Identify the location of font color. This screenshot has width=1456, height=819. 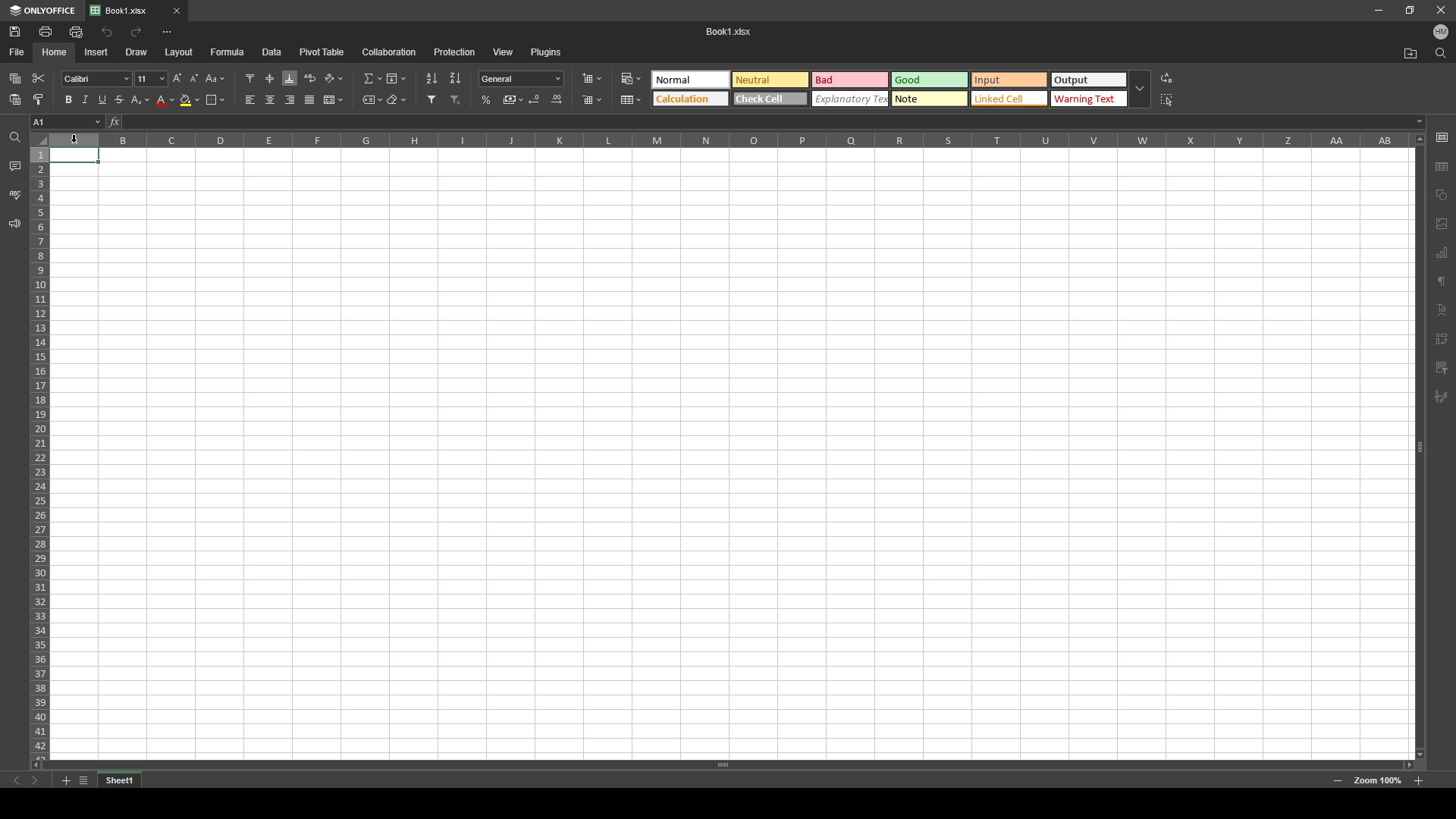
(165, 100).